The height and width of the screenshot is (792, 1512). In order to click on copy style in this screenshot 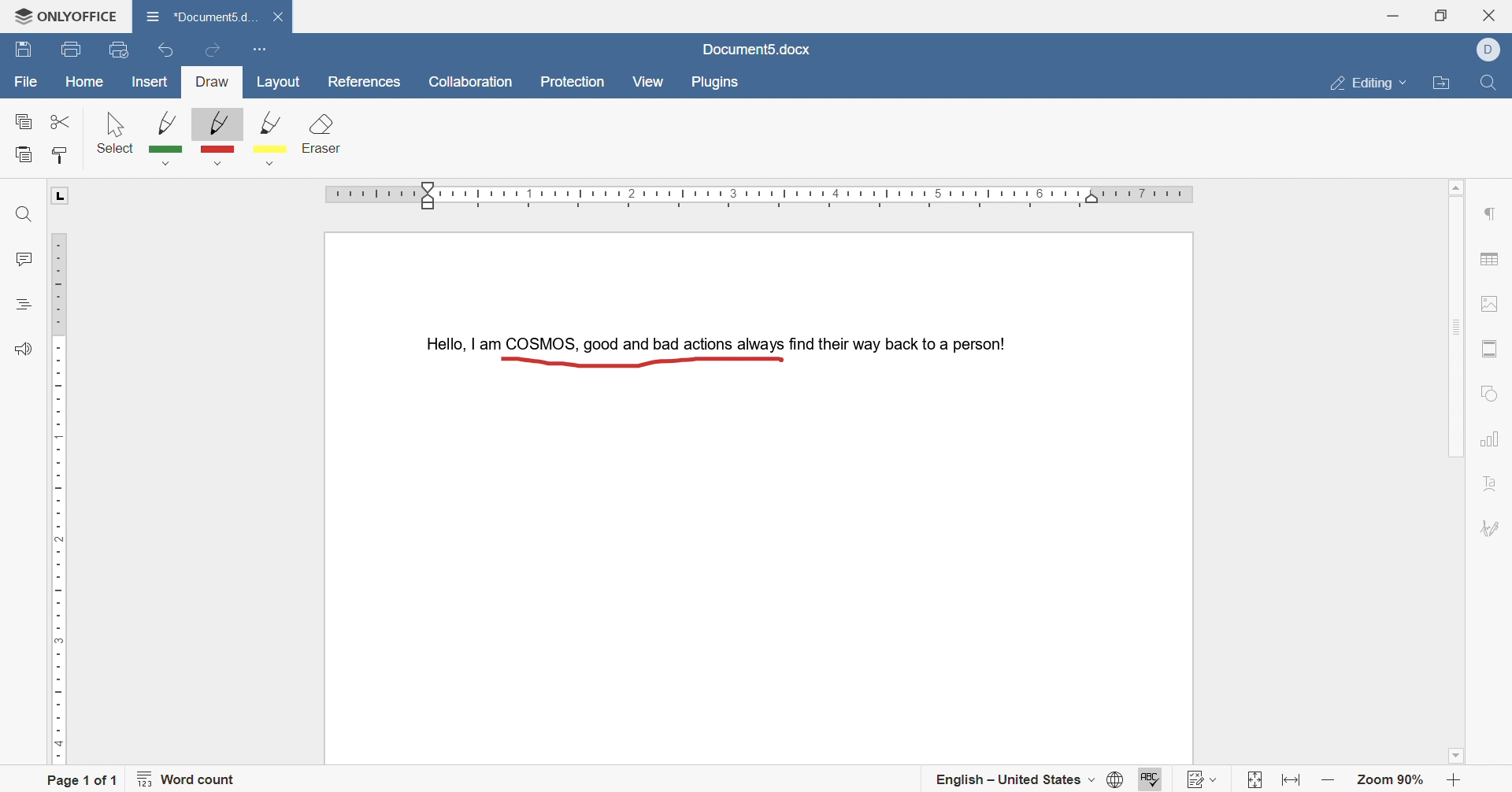, I will do `click(62, 154)`.